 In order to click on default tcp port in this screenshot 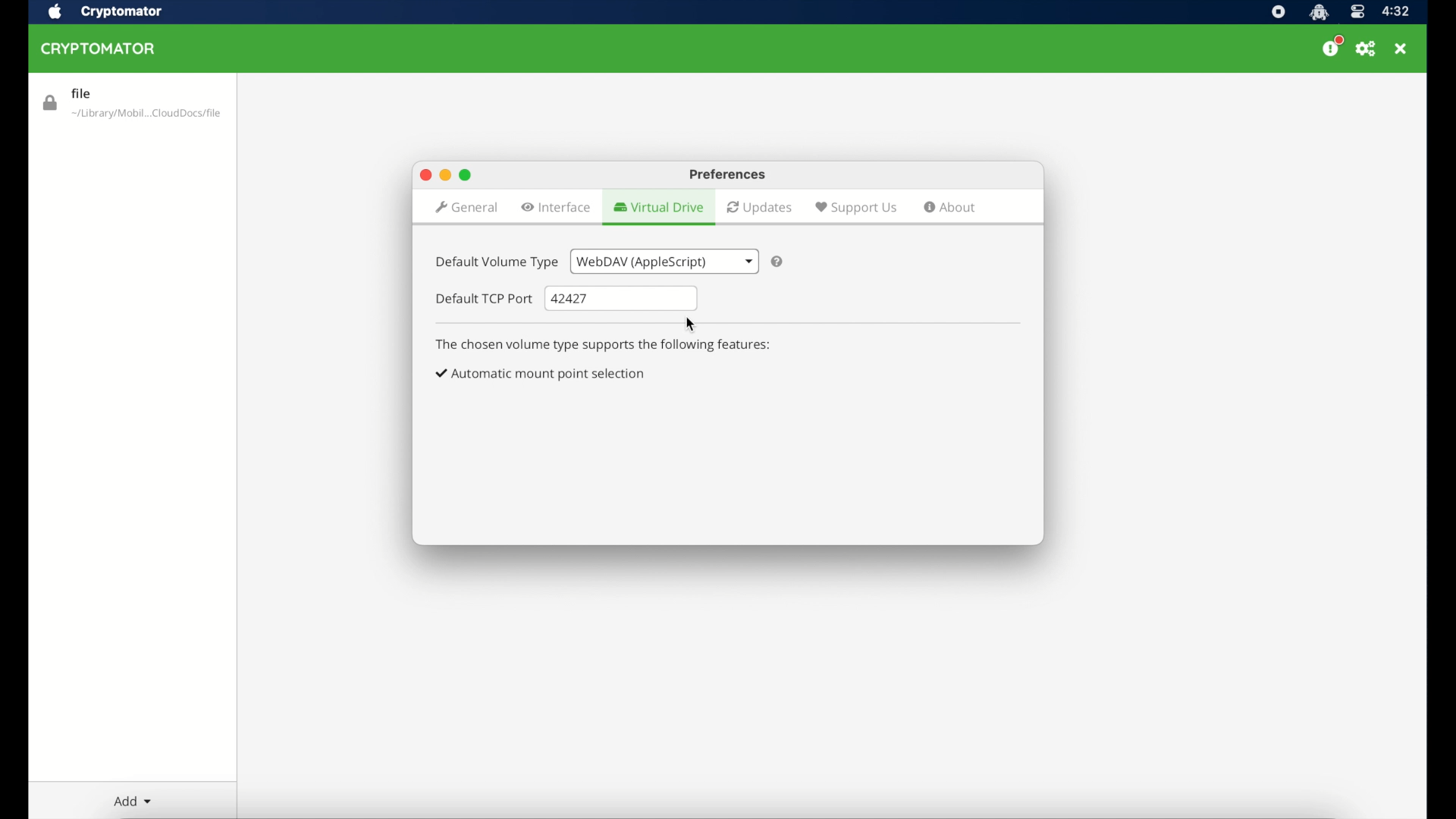, I will do `click(485, 299)`.